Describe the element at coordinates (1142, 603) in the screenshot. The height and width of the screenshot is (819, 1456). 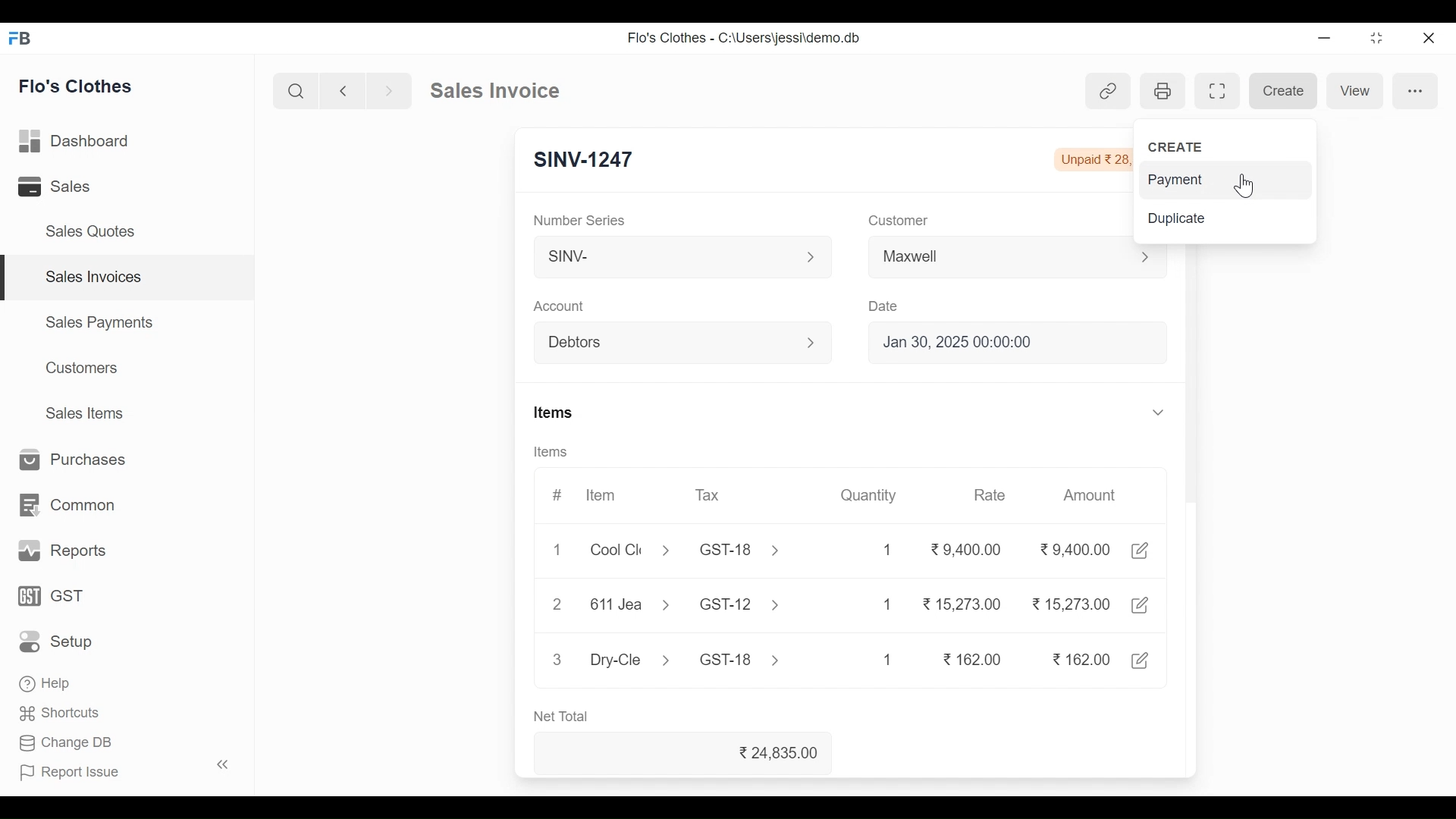
I see `Edit` at that location.